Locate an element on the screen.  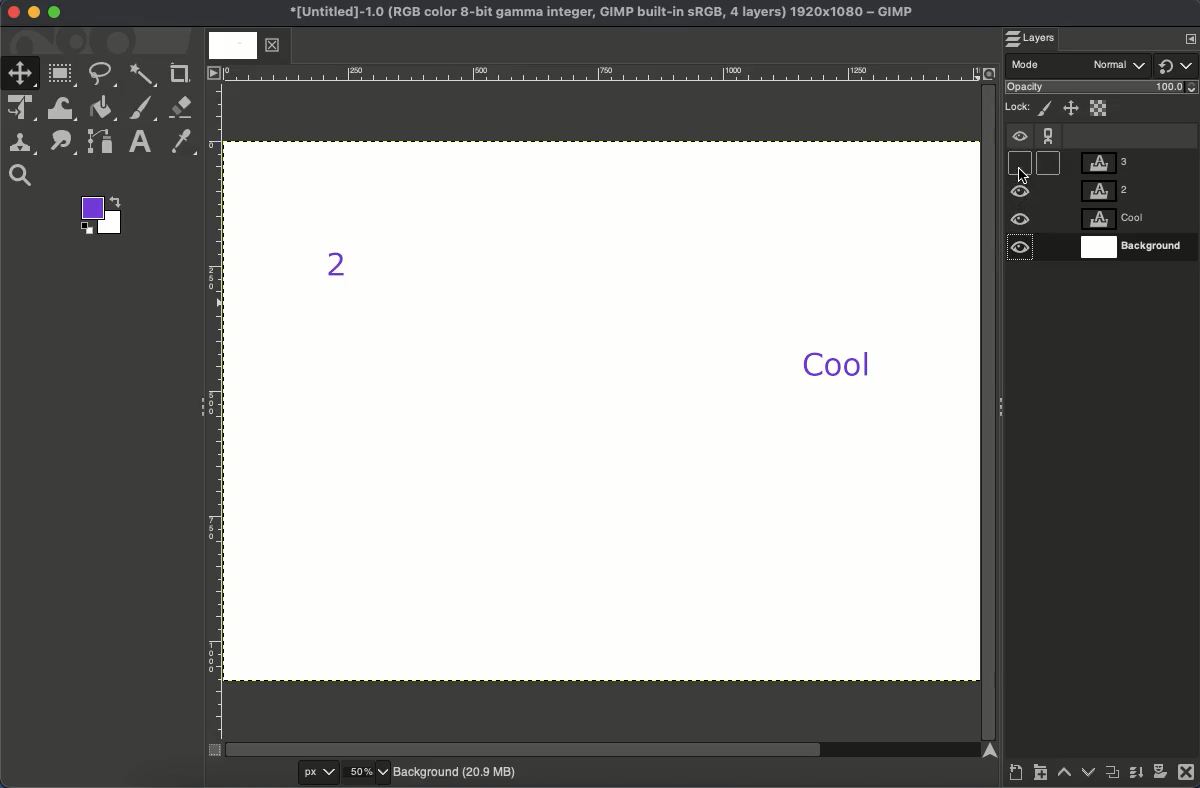
Layers is located at coordinates (1133, 205).